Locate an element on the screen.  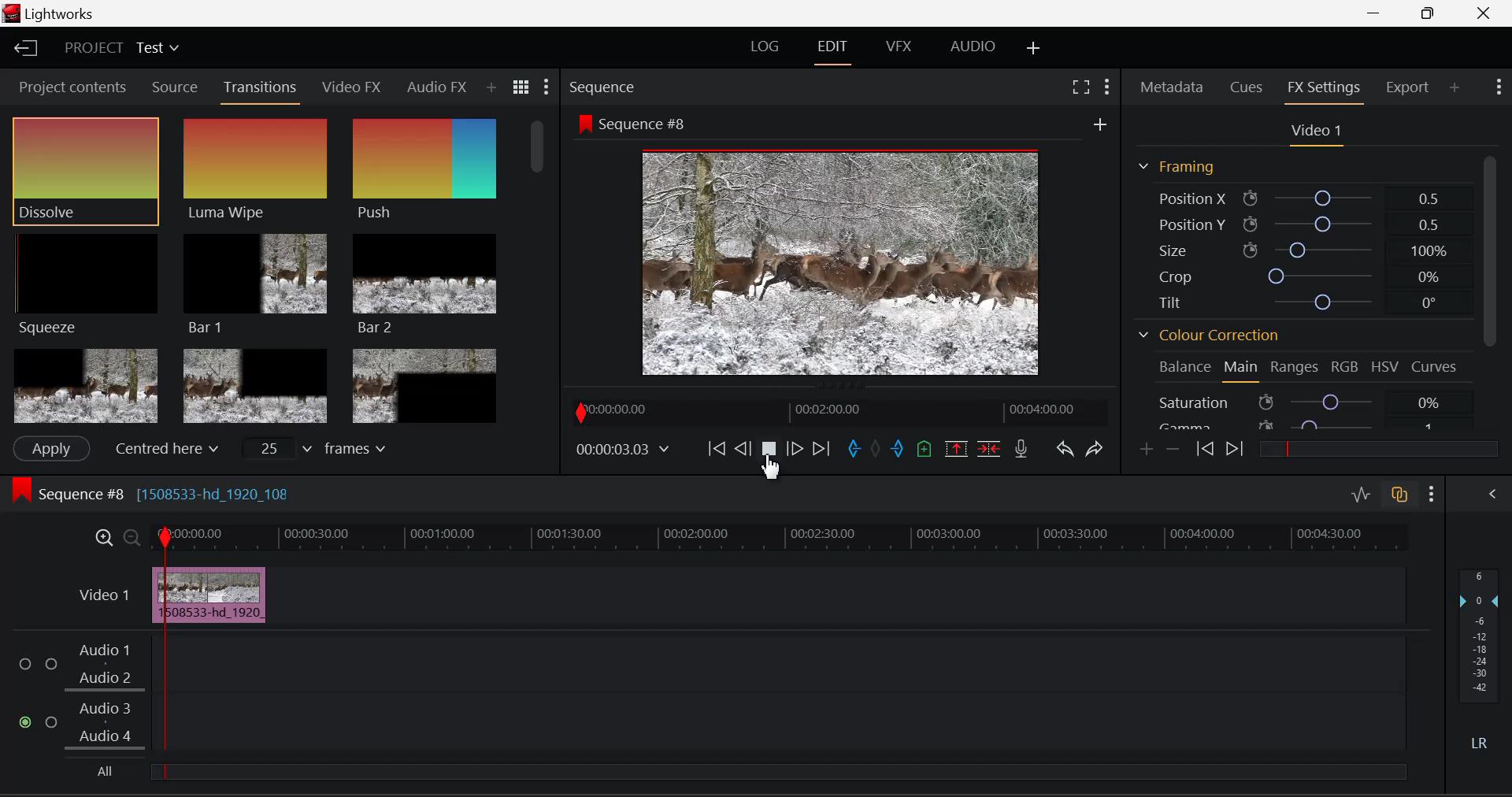
Audio Input Checkbox is located at coordinates (51, 664).